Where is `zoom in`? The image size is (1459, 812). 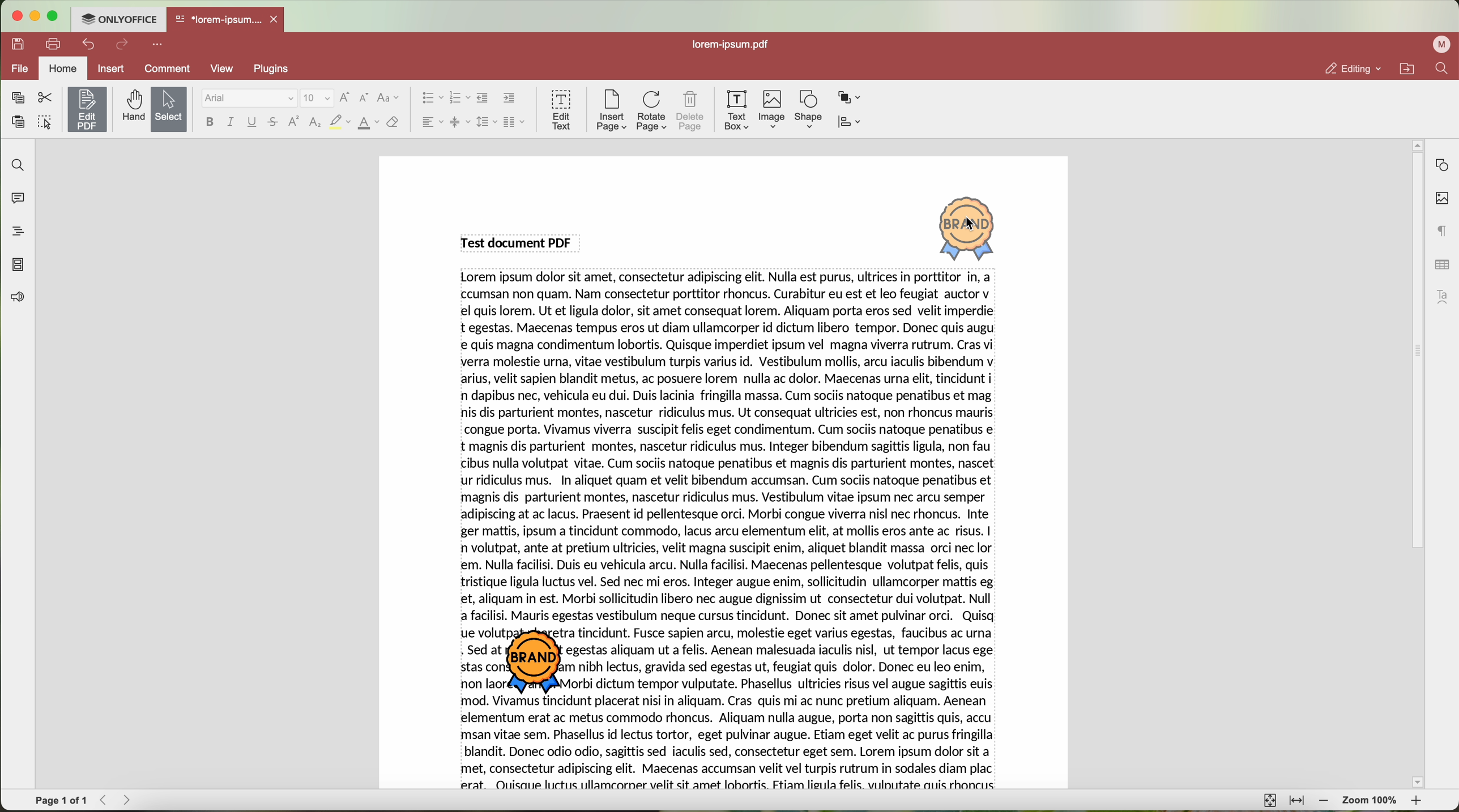
zoom in is located at coordinates (1418, 803).